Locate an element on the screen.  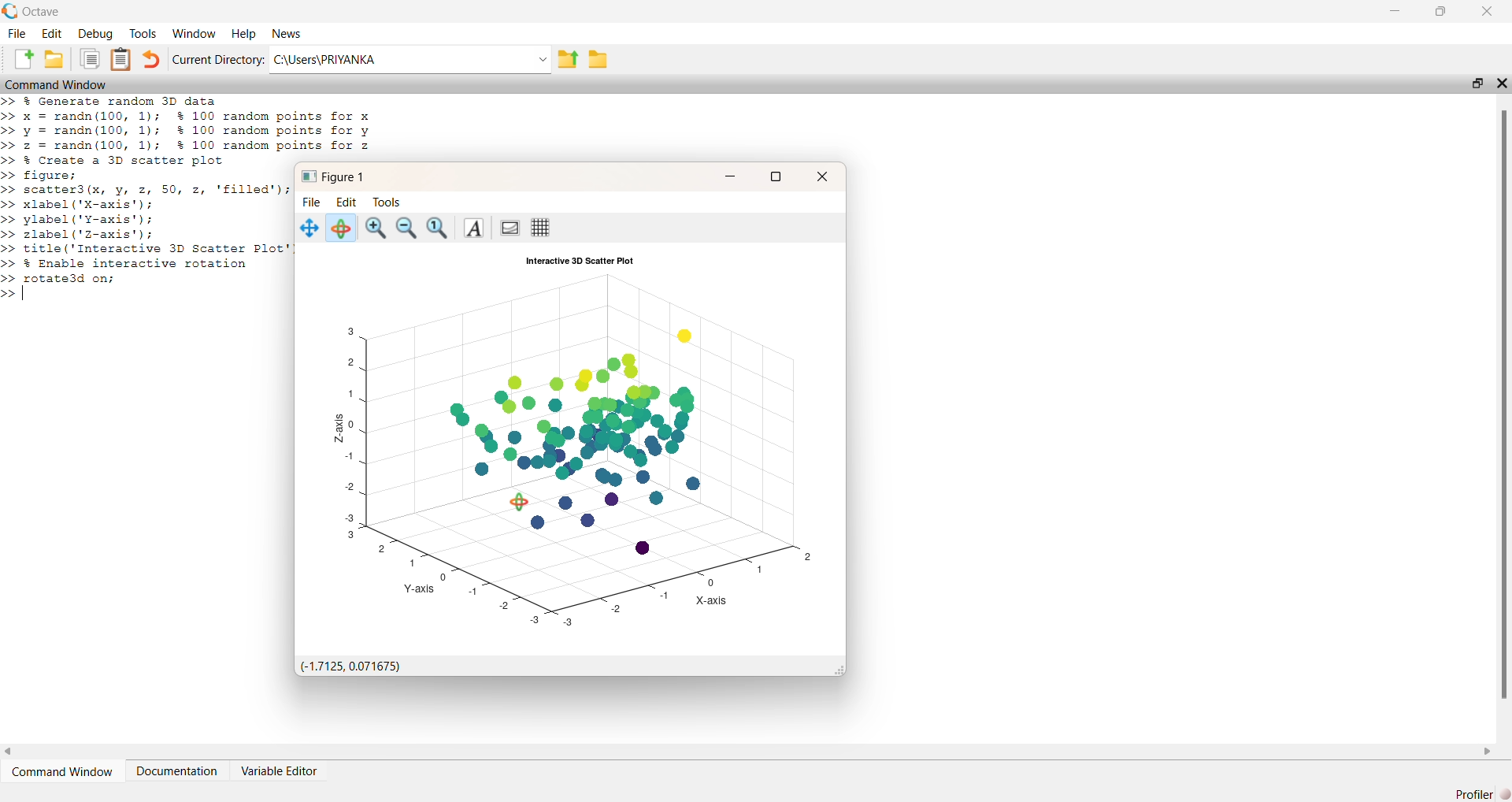
scroll bar is located at coordinates (1502, 403).